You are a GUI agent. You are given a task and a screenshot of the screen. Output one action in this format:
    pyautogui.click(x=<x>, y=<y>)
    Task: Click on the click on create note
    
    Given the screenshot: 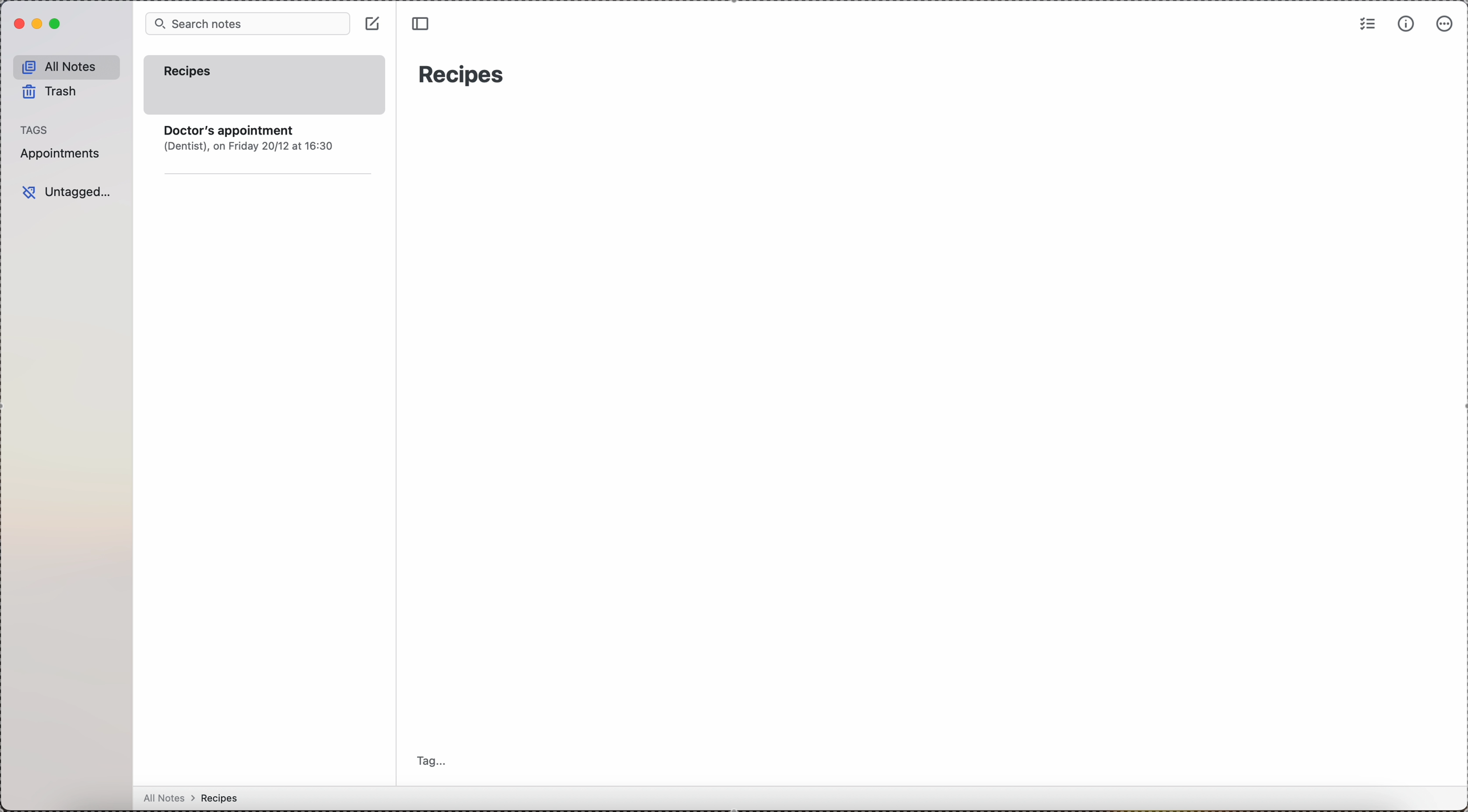 What is the action you would take?
    pyautogui.click(x=372, y=24)
    